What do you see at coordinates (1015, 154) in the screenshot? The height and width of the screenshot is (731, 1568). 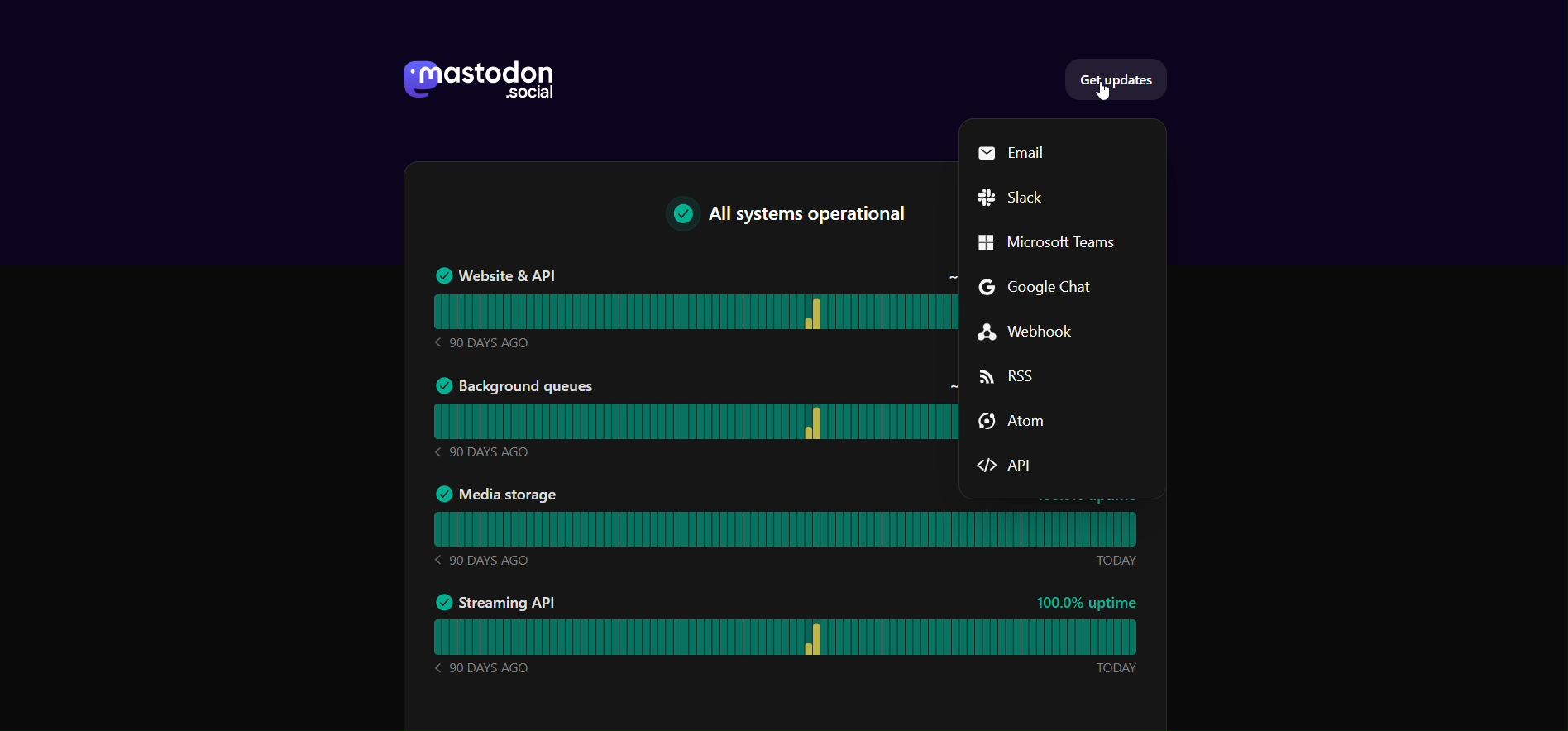 I see `Email` at bounding box center [1015, 154].